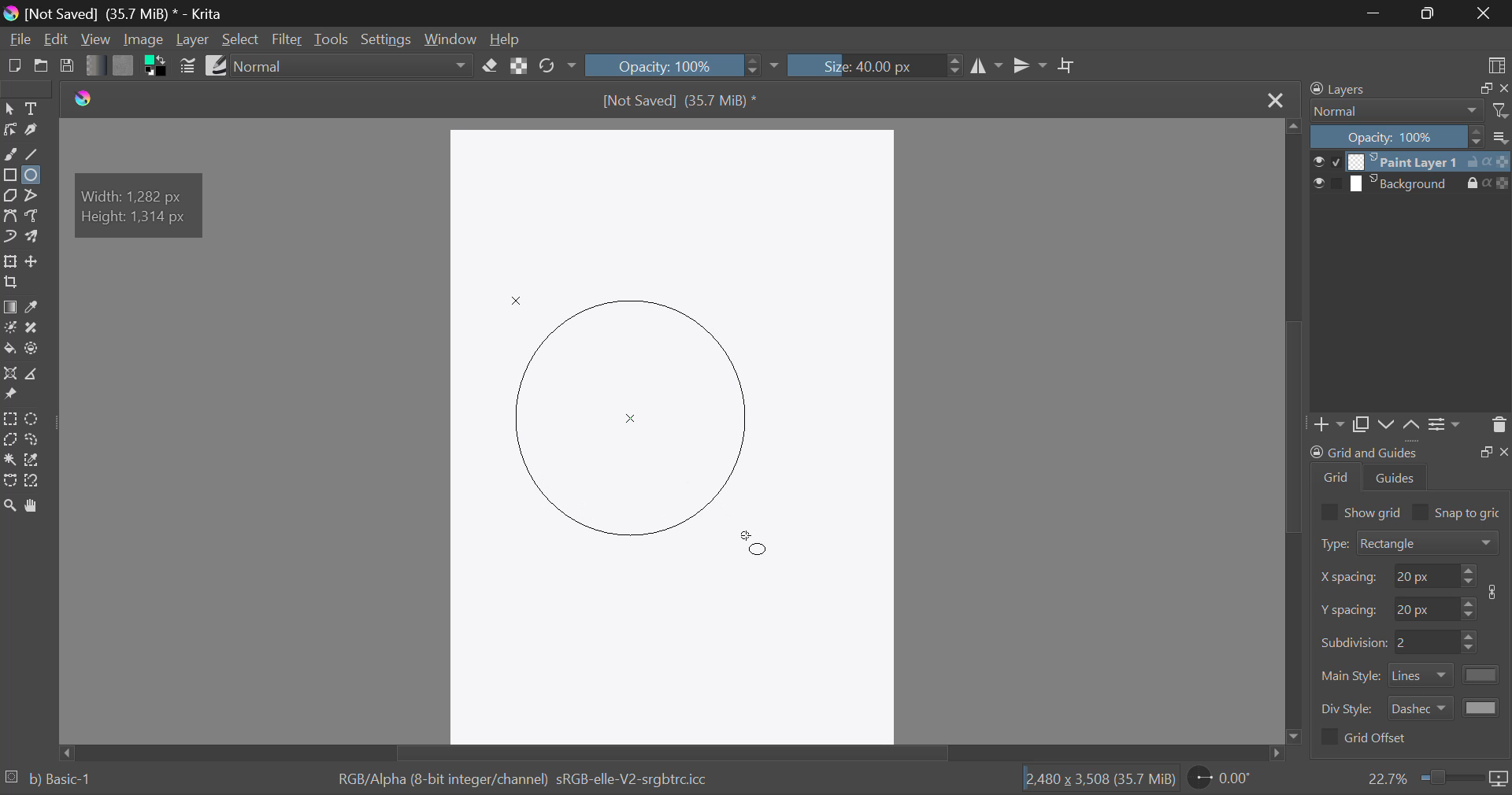 This screenshot has height=795, width=1512. I want to click on Close, so click(1484, 13).